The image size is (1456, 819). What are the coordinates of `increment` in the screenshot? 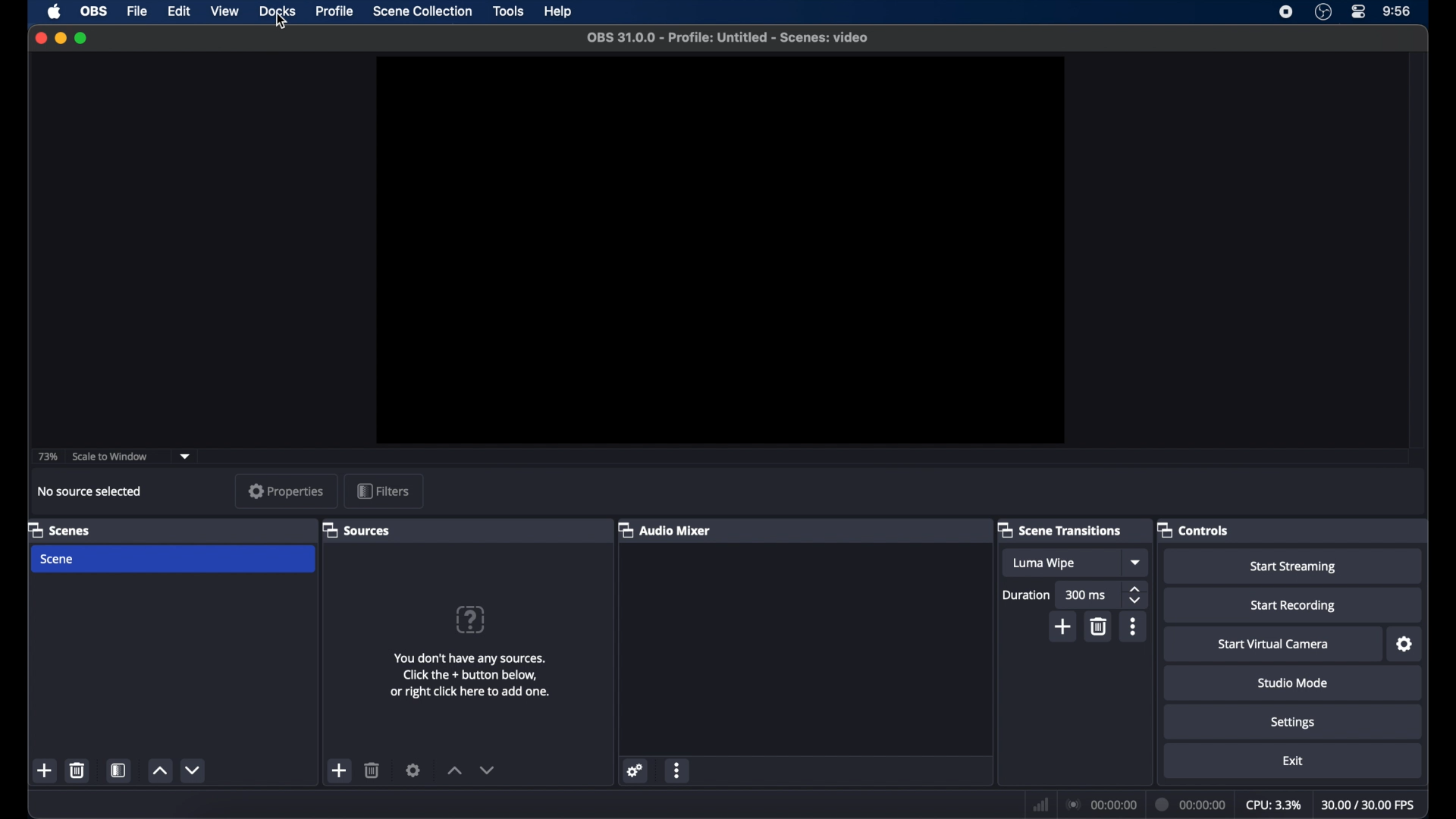 It's located at (454, 770).